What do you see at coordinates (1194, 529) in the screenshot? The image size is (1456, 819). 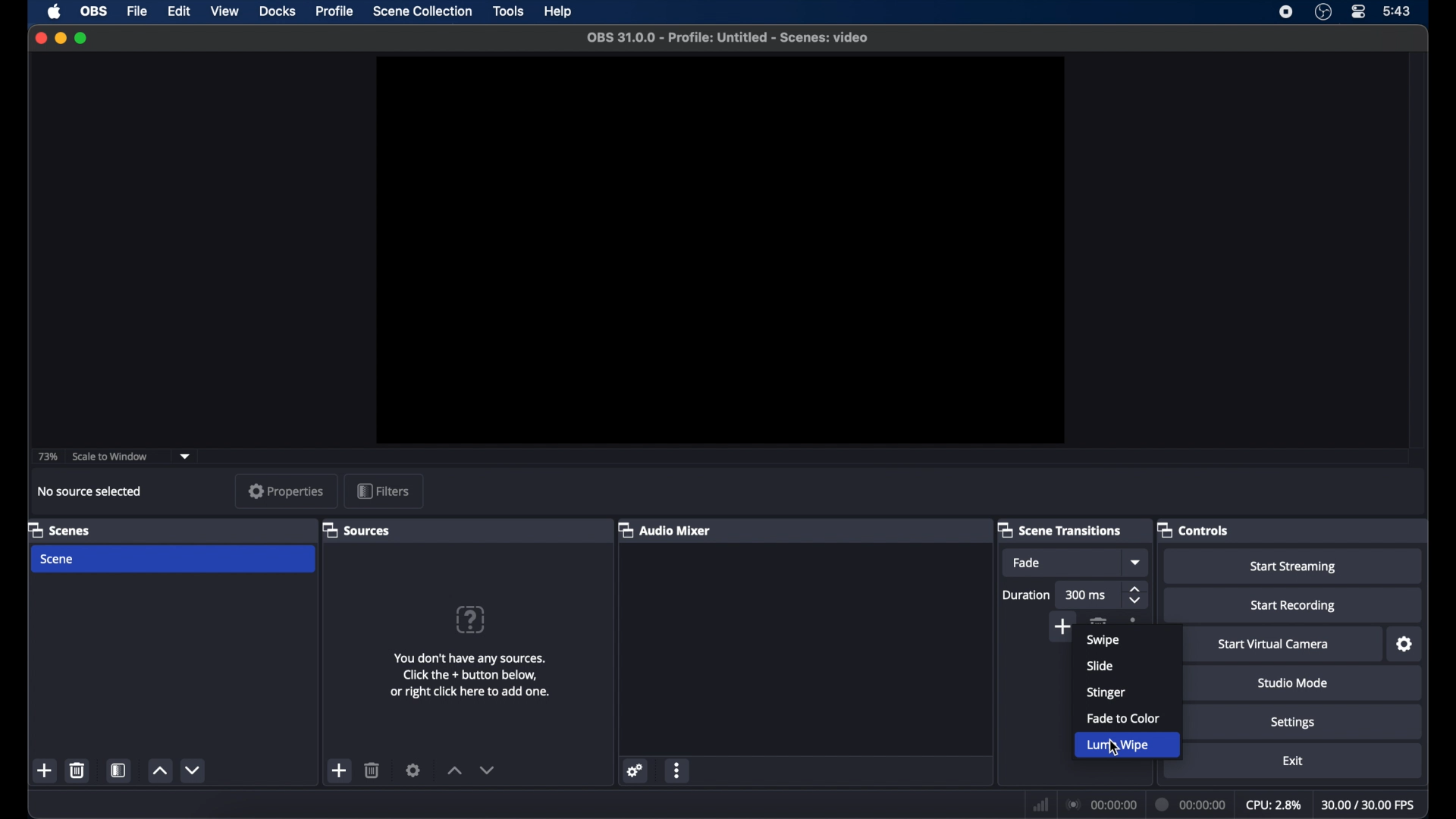 I see `controls` at bounding box center [1194, 529].